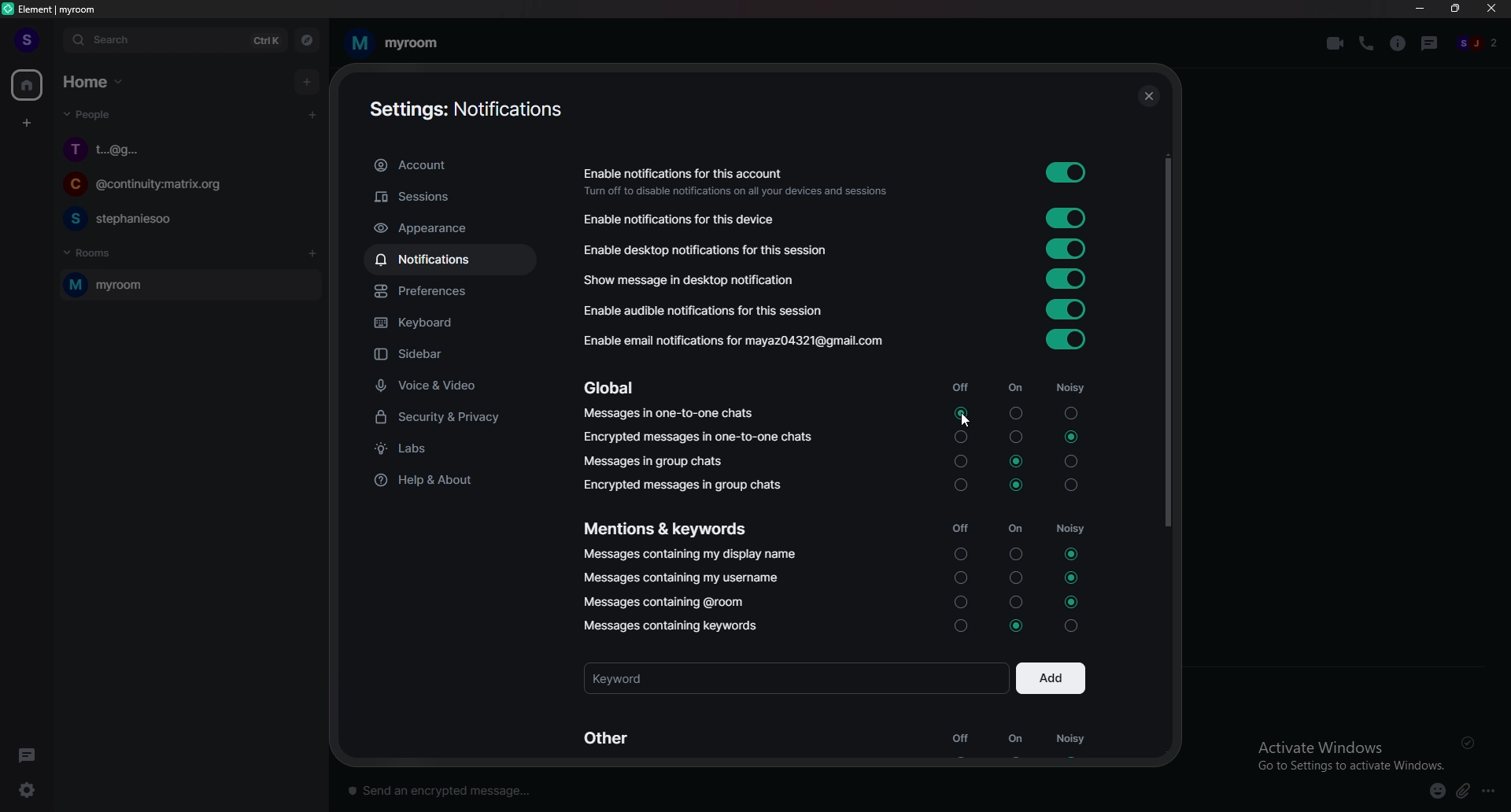 The height and width of the screenshot is (812, 1511). Describe the element at coordinates (666, 527) in the screenshot. I see `mentions and keywords` at that location.